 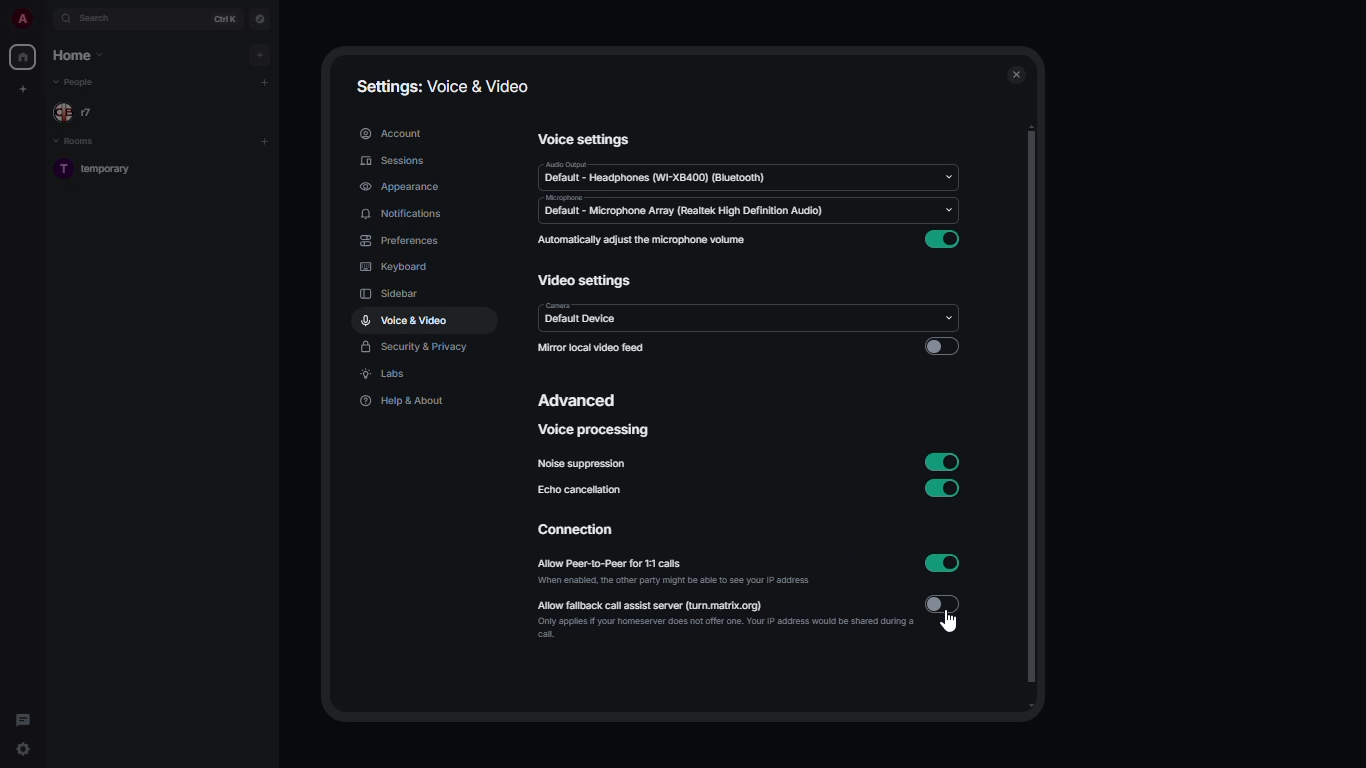 I want to click on close, so click(x=1016, y=74).